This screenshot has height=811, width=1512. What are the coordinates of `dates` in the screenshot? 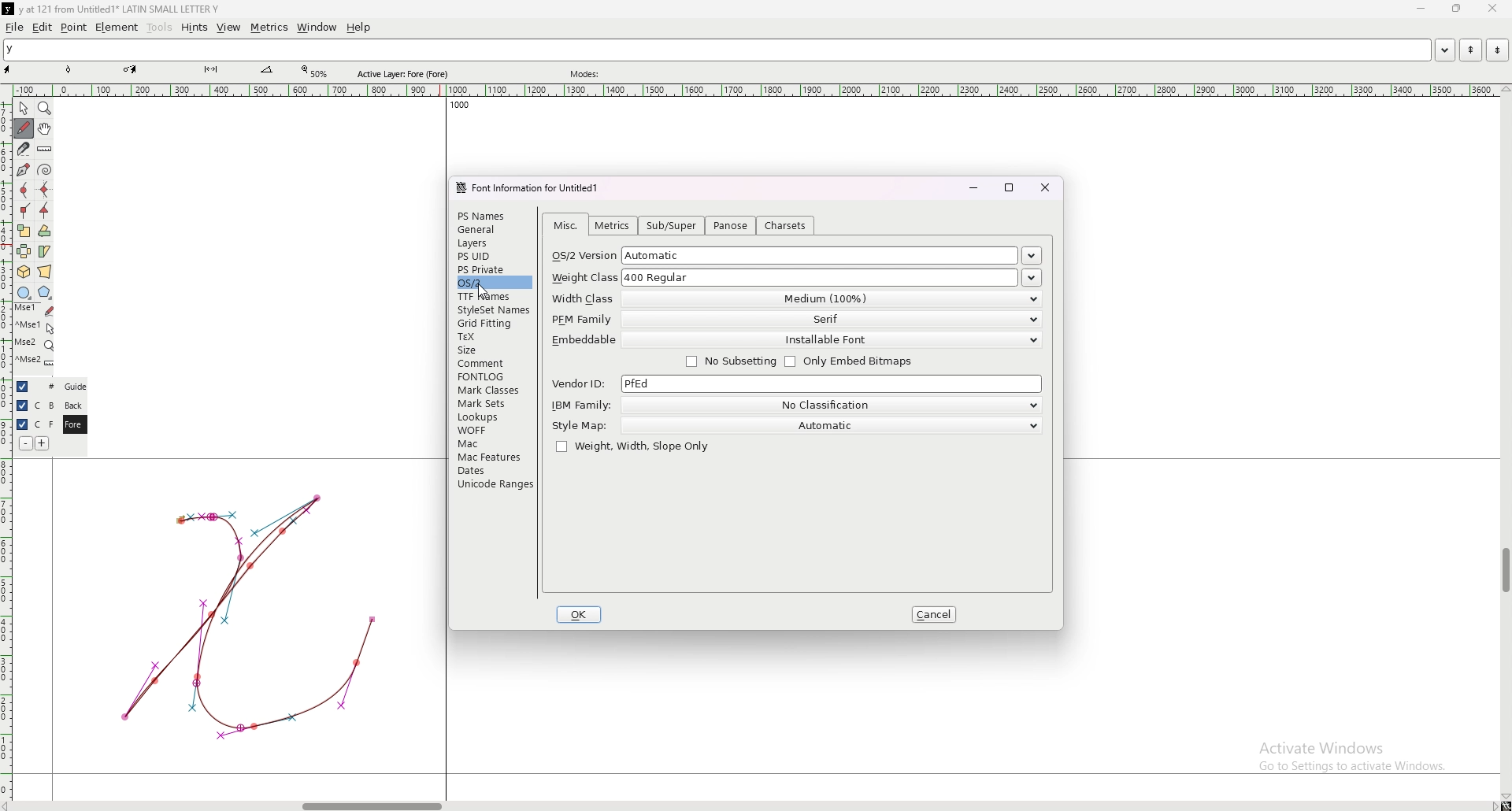 It's located at (494, 470).